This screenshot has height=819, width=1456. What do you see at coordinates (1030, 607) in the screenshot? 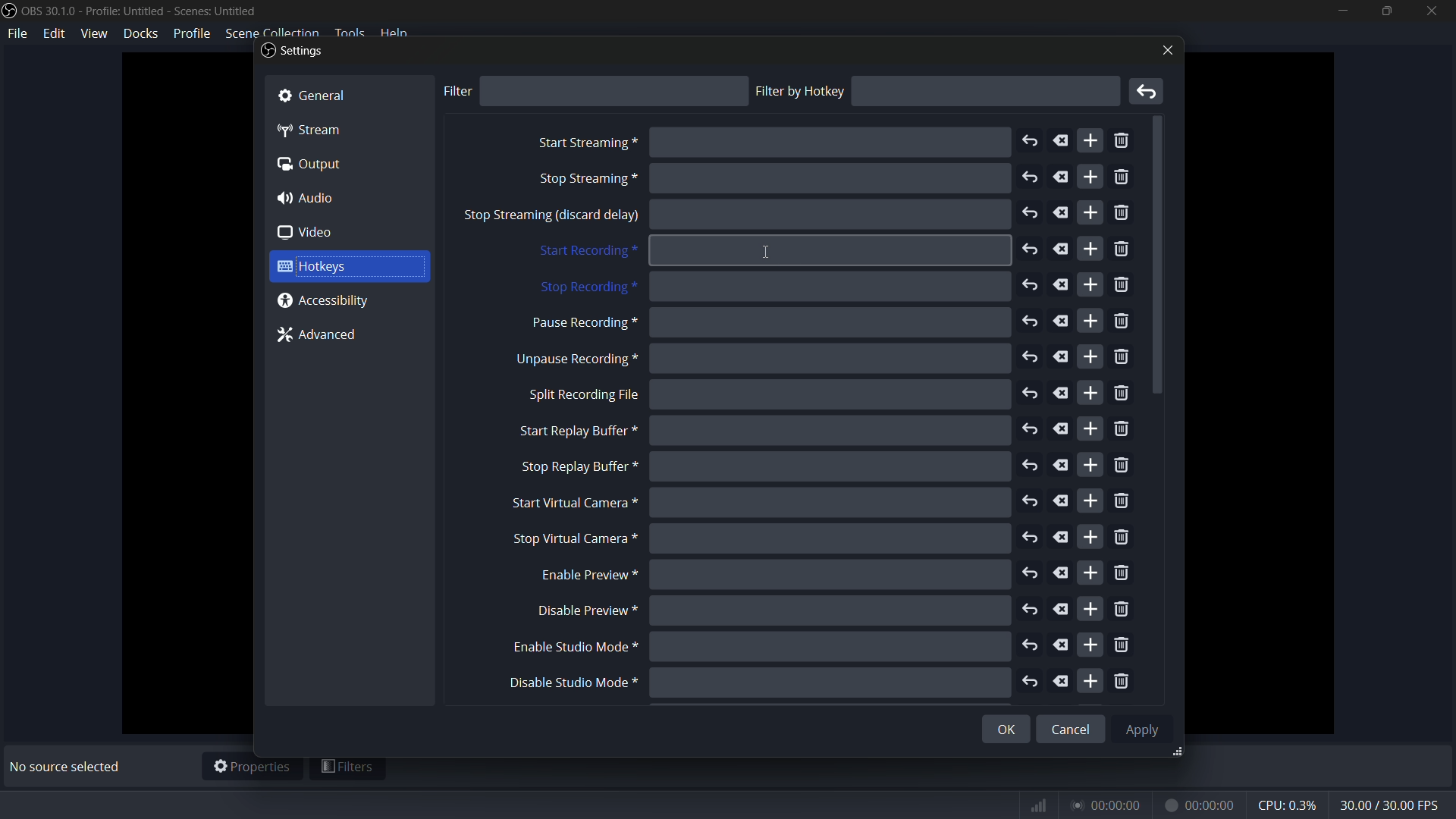
I see `undo` at bounding box center [1030, 607].